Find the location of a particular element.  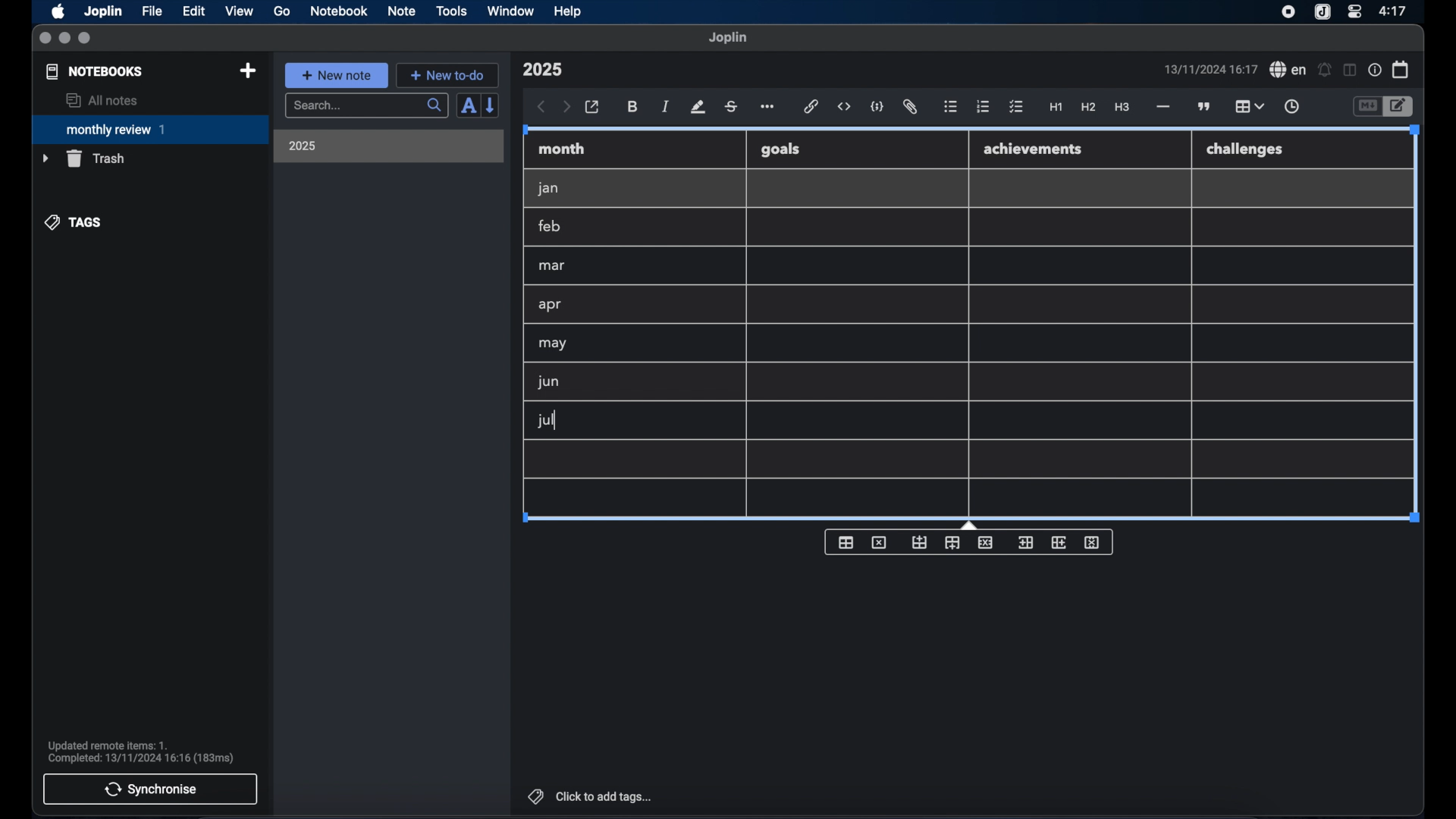

insert column after is located at coordinates (1059, 542).